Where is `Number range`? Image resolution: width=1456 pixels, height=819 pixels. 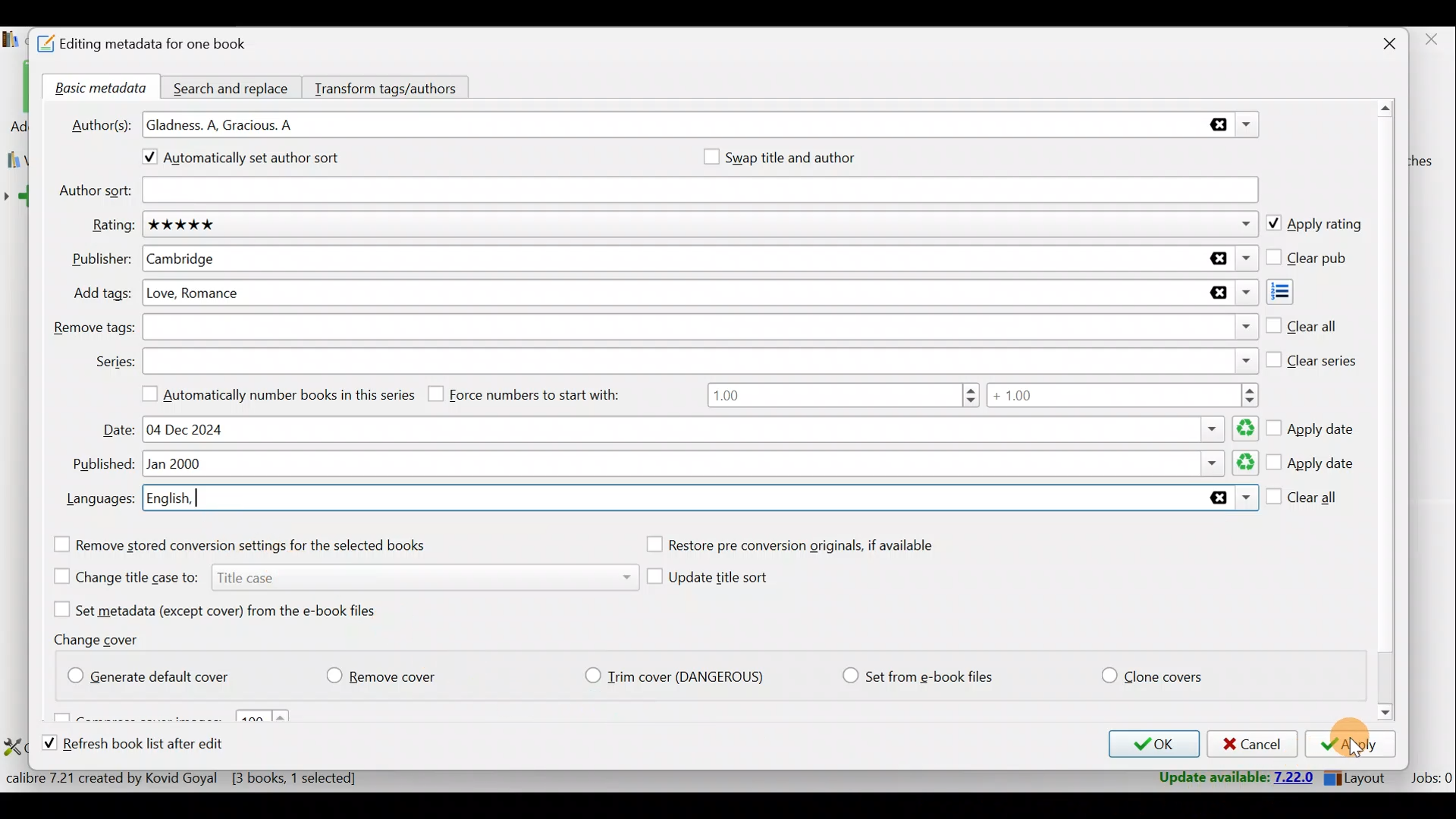 Number range is located at coordinates (982, 397).